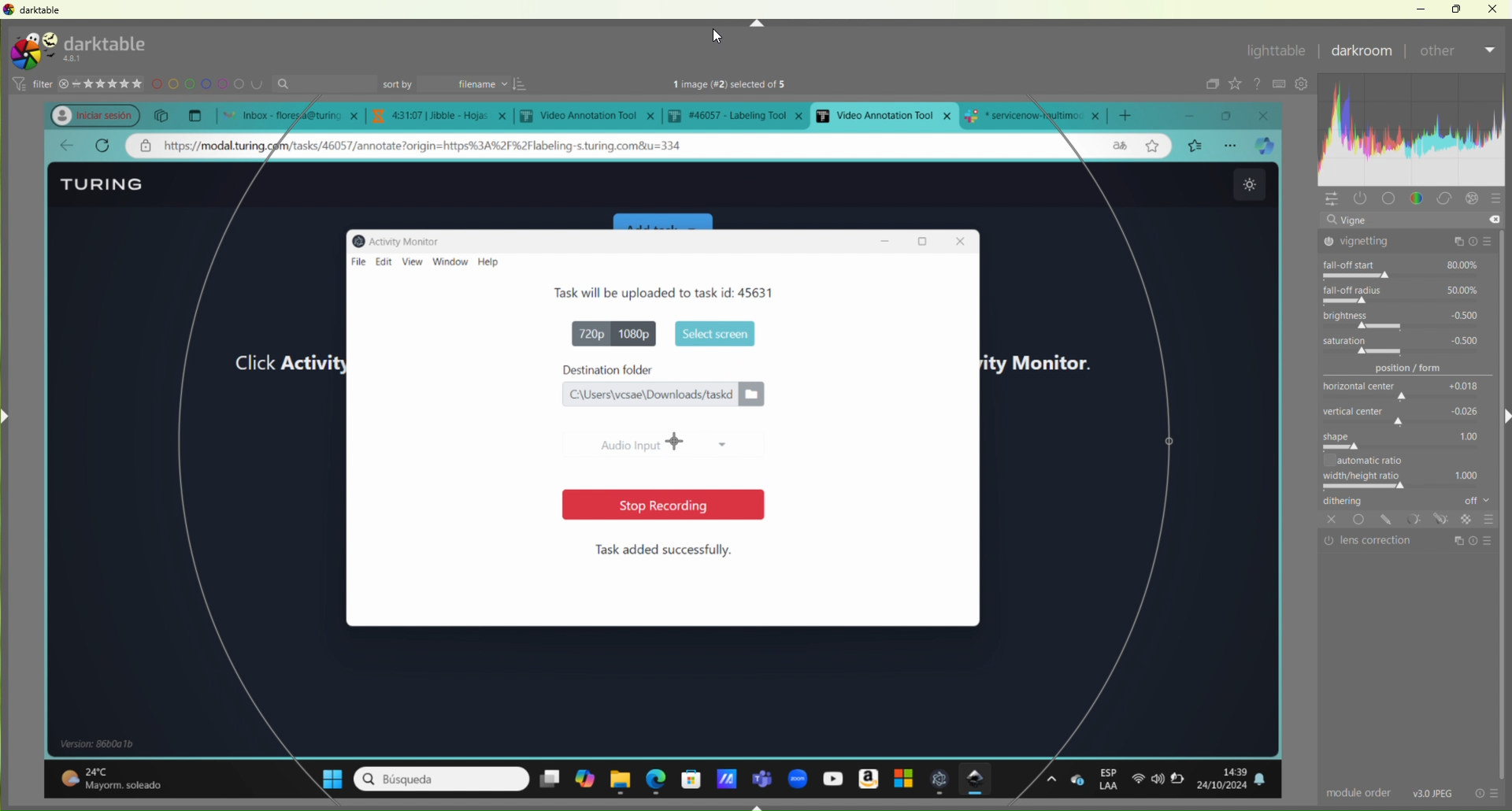 The width and height of the screenshot is (1512, 811). I want to click on copilot, so click(584, 781).